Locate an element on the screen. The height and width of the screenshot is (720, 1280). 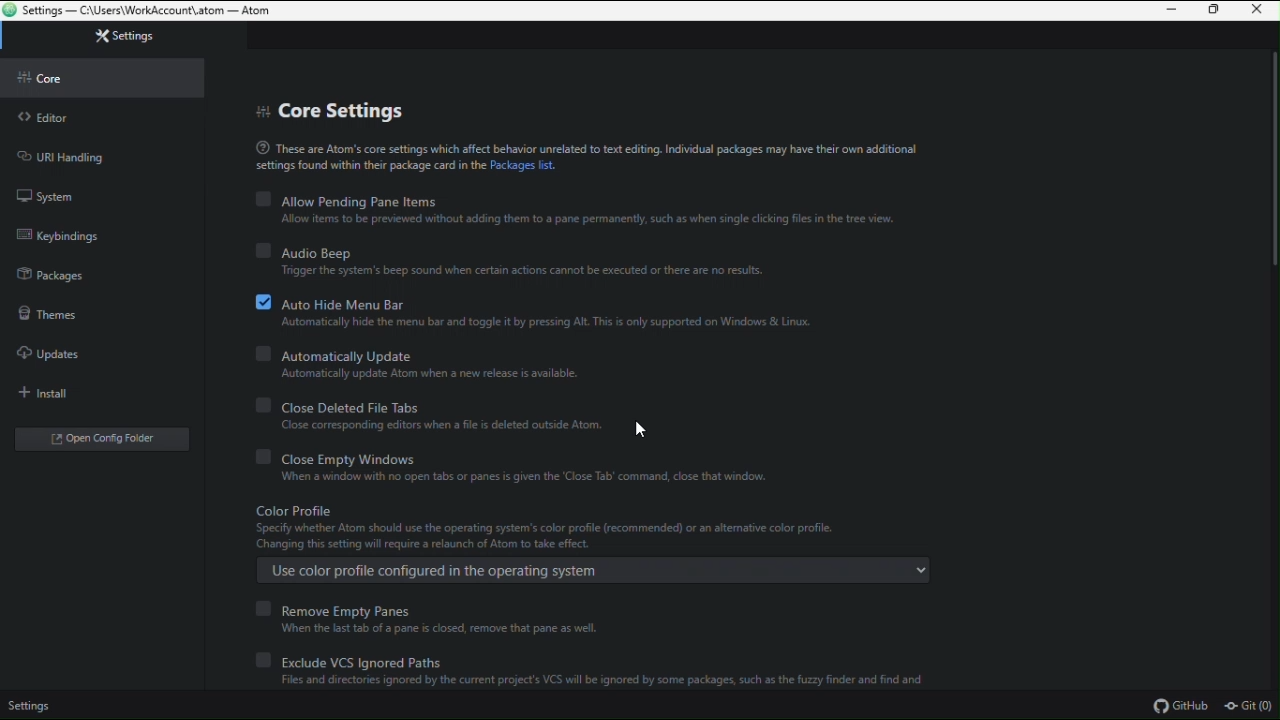
updates is located at coordinates (86, 349).